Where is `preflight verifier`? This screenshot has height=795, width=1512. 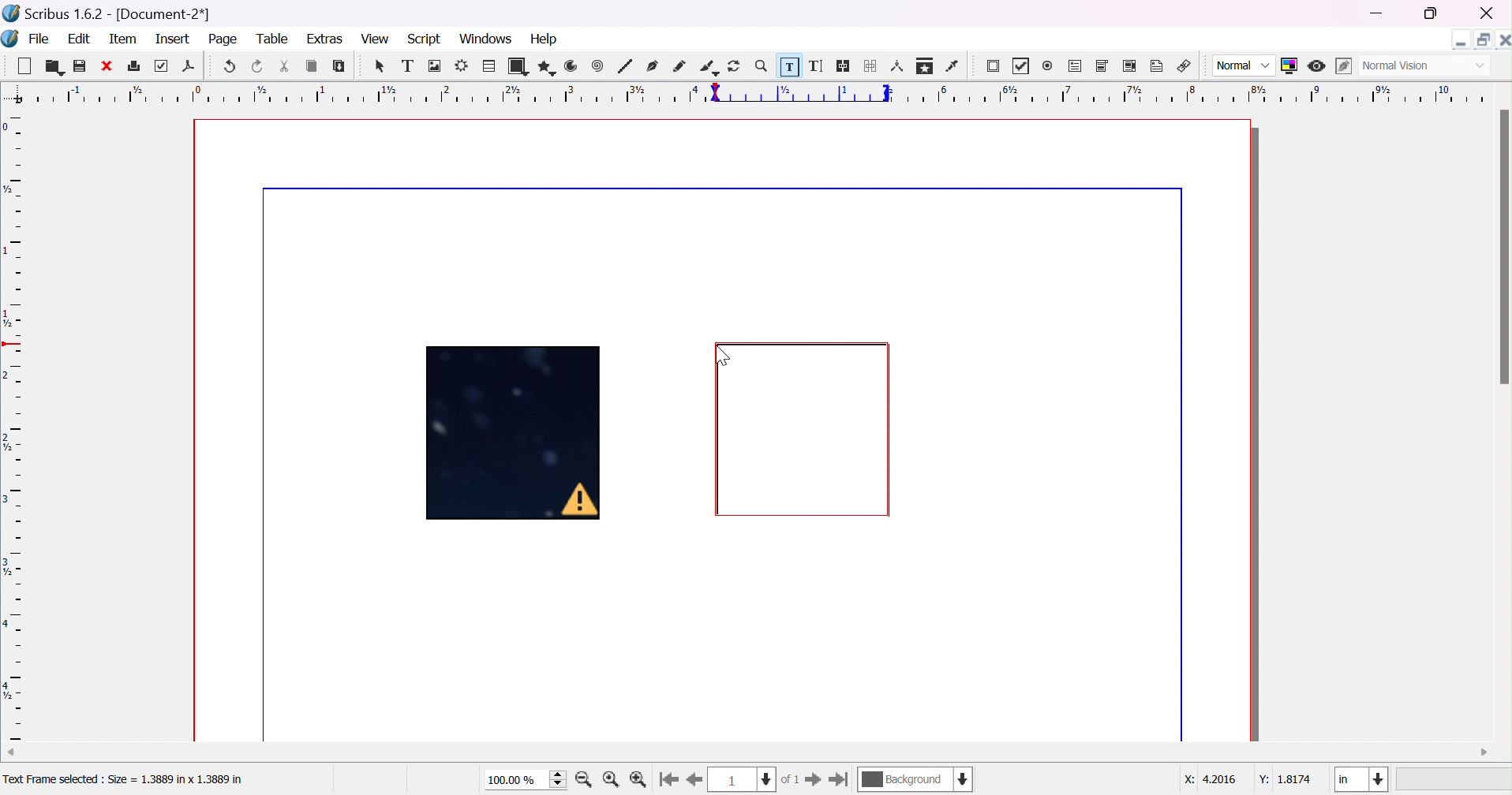
preflight verifier is located at coordinates (163, 66).